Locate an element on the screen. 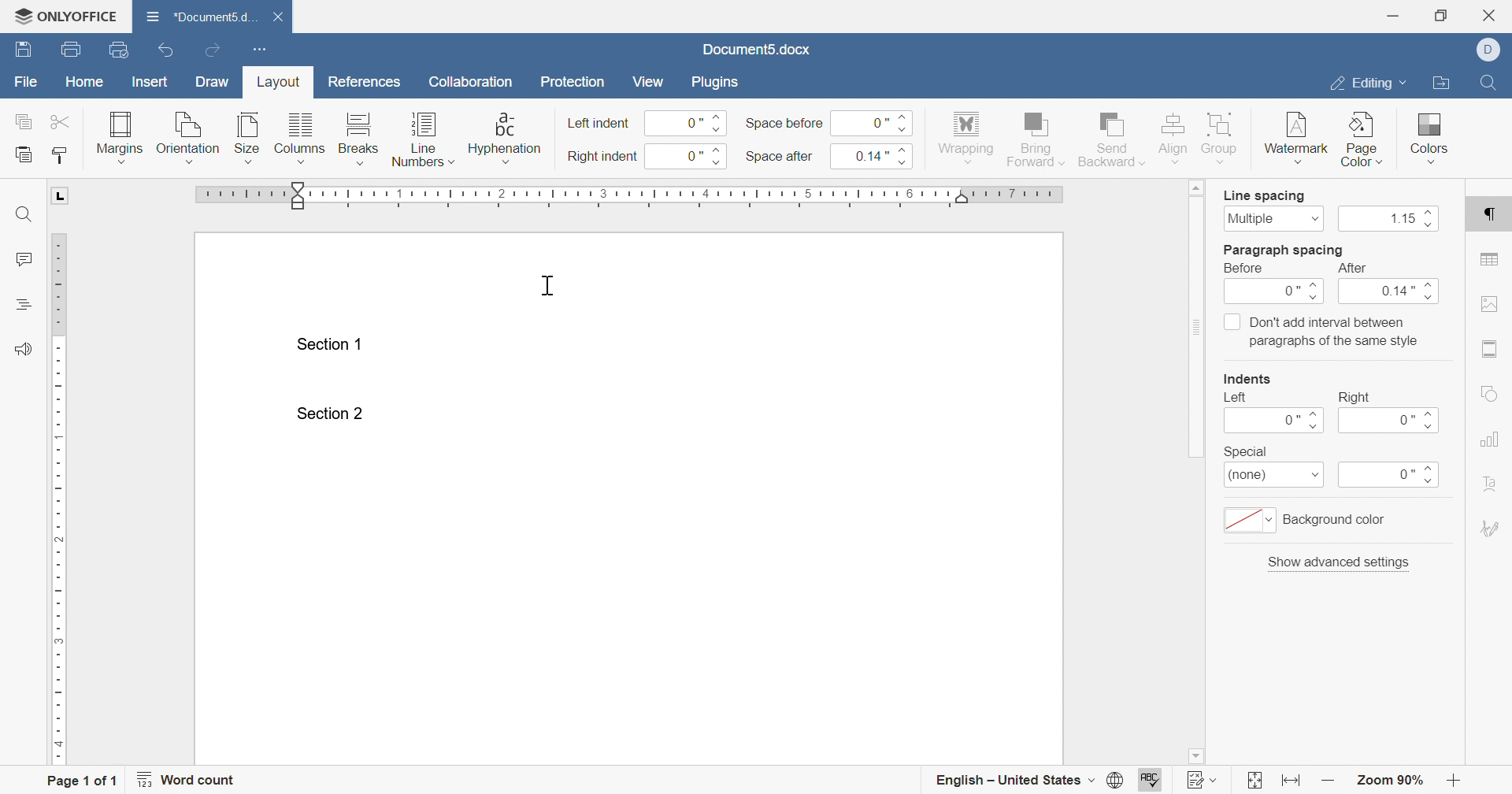  section 2 is located at coordinates (335, 414).